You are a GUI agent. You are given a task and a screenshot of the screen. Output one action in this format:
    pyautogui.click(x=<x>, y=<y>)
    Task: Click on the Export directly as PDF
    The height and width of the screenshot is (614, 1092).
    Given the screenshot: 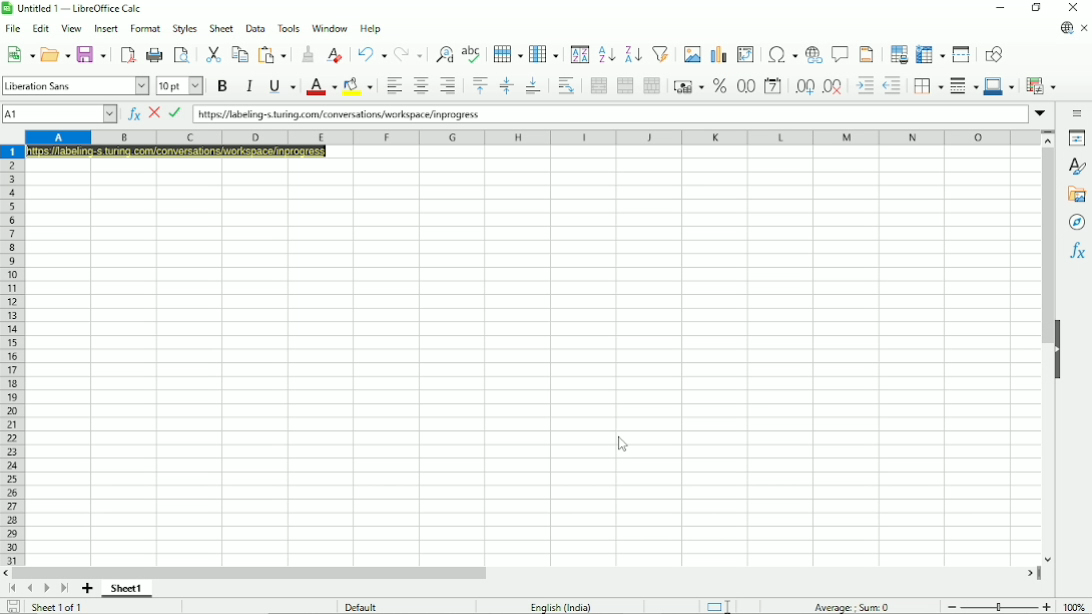 What is the action you would take?
    pyautogui.click(x=127, y=55)
    